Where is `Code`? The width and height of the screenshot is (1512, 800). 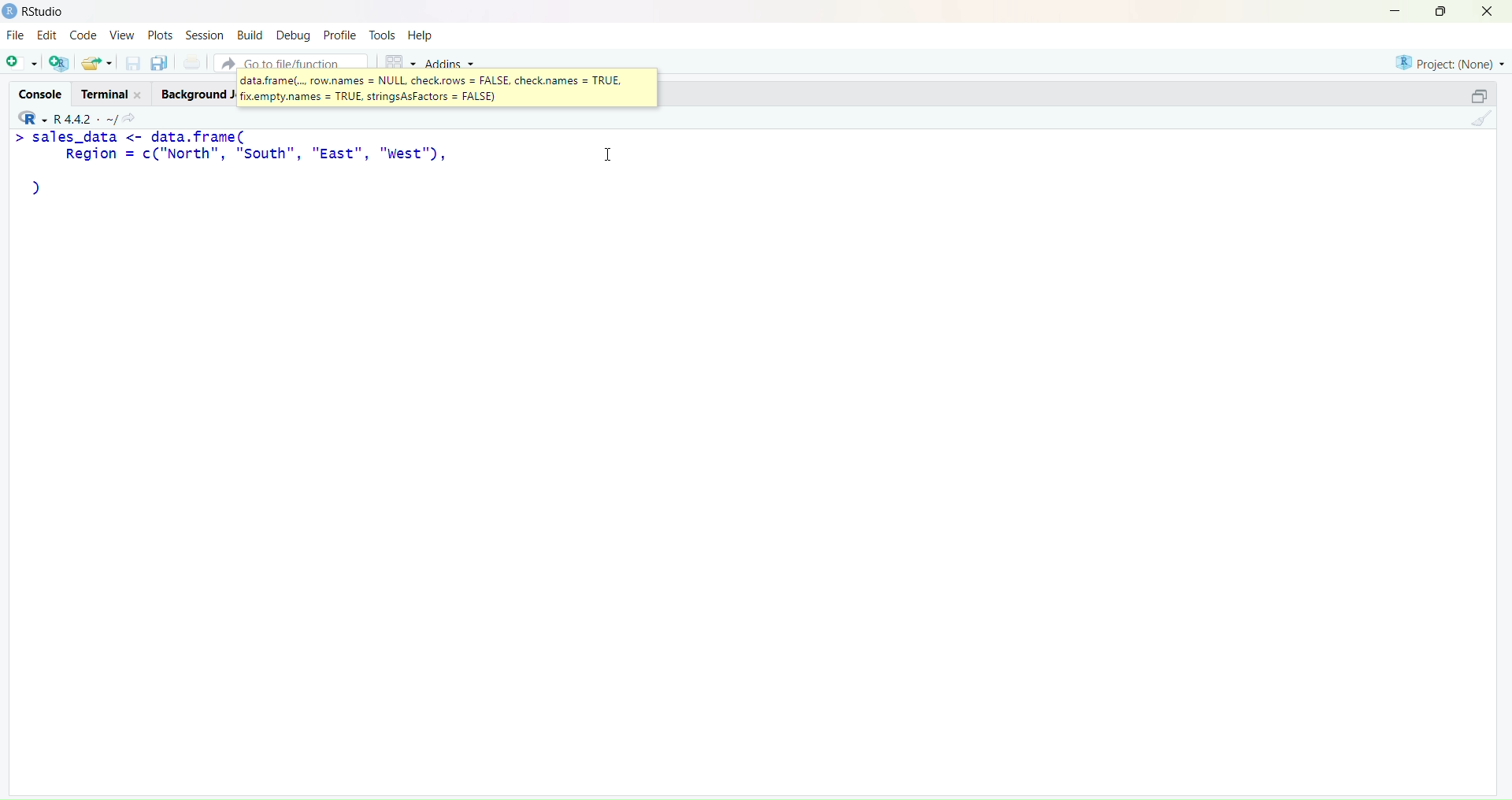
Code is located at coordinates (84, 35).